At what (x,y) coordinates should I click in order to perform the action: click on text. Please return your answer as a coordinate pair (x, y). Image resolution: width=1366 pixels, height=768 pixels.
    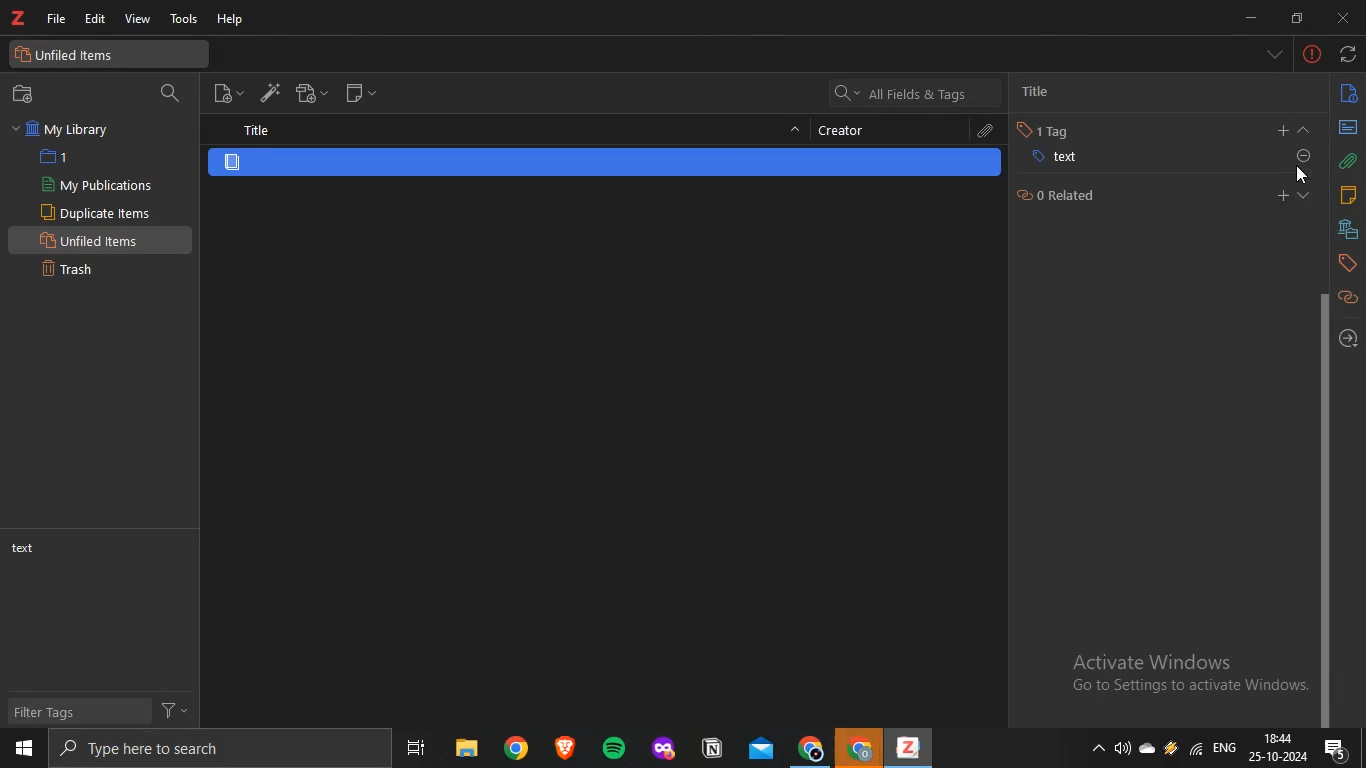
    Looking at the image, I should click on (1061, 156).